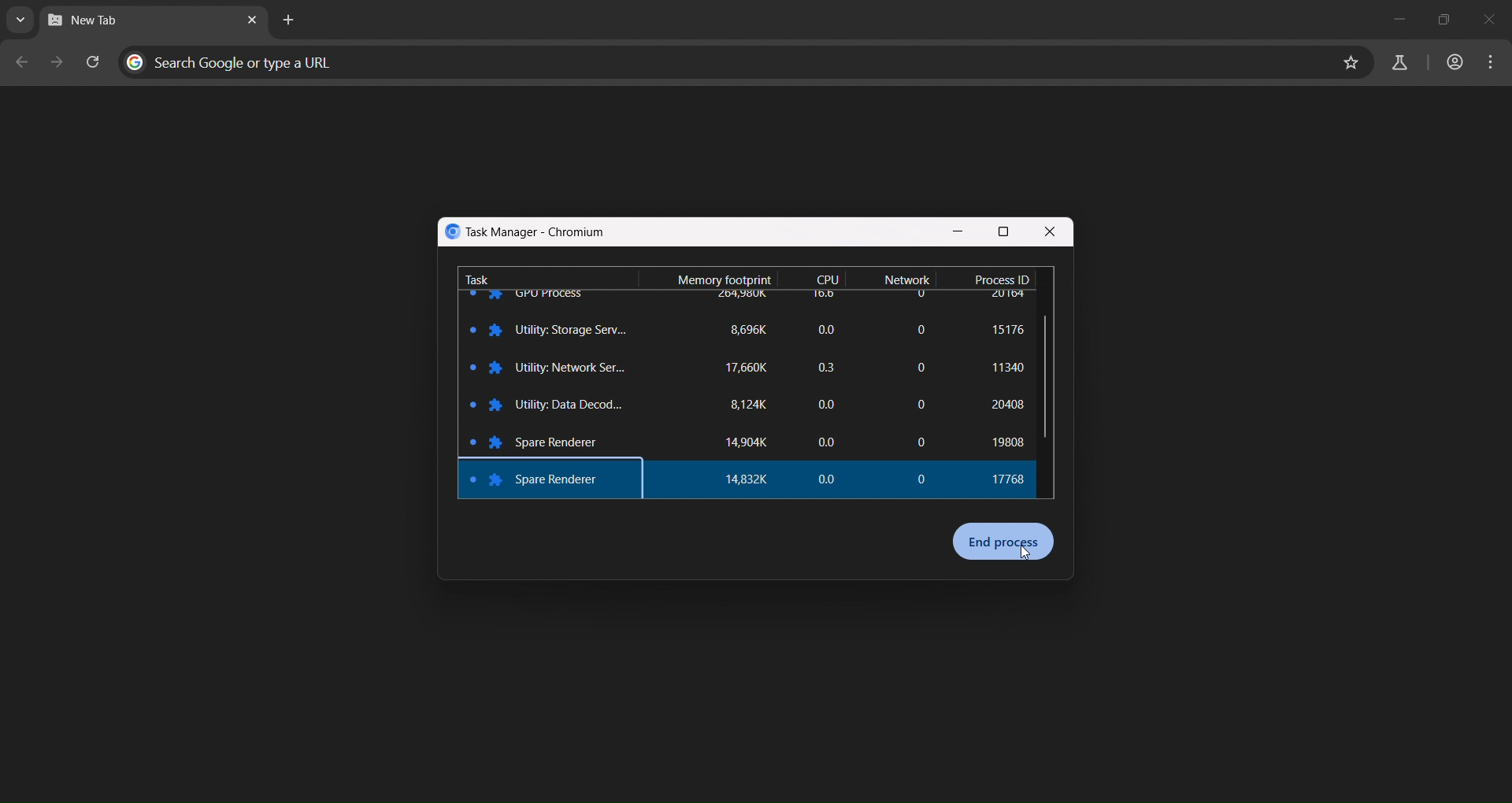 The width and height of the screenshot is (1512, 803). What do you see at coordinates (1350, 62) in the screenshot?
I see `bookmark page` at bounding box center [1350, 62].